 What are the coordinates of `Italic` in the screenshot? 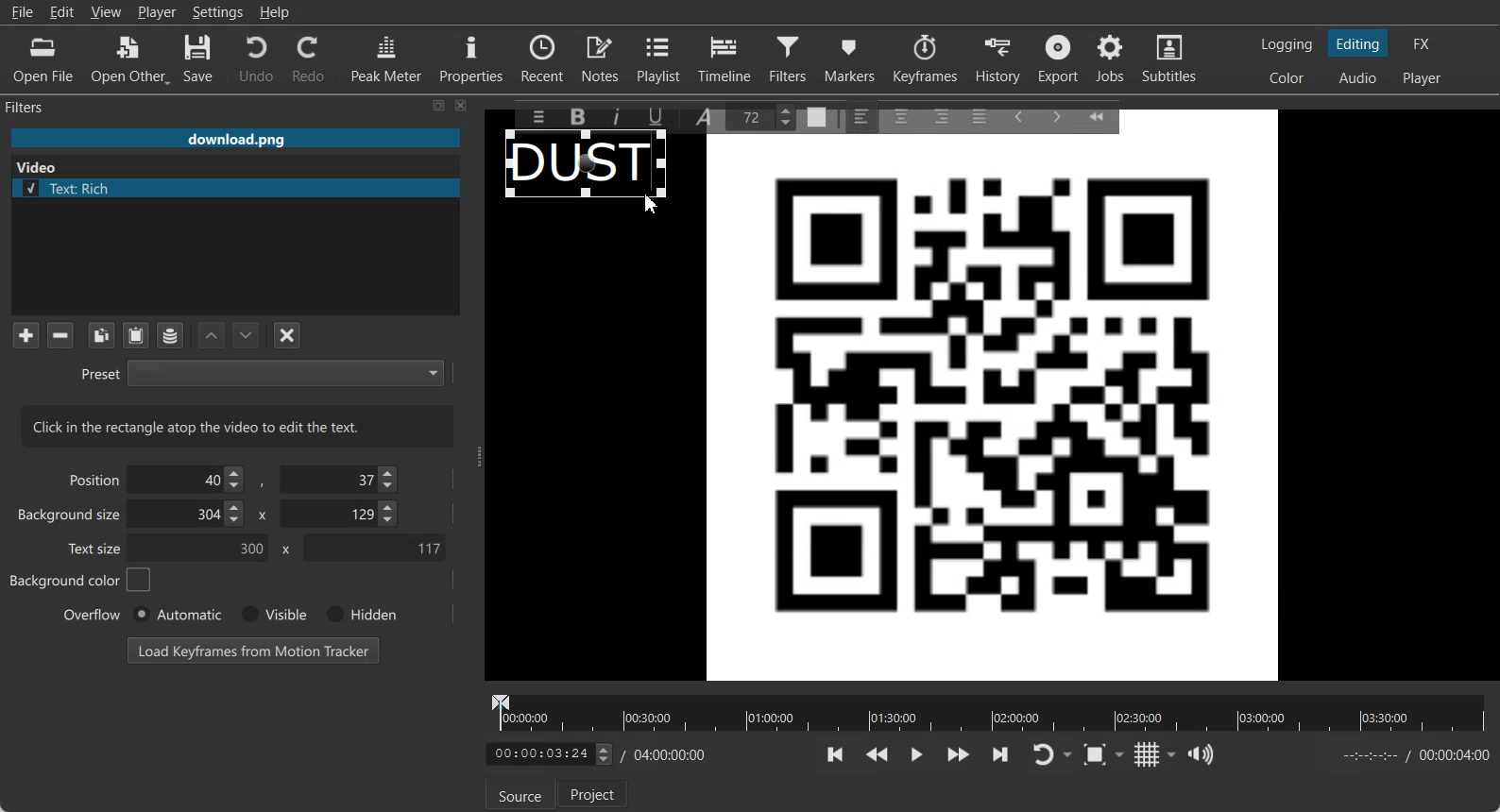 It's located at (620, 114).